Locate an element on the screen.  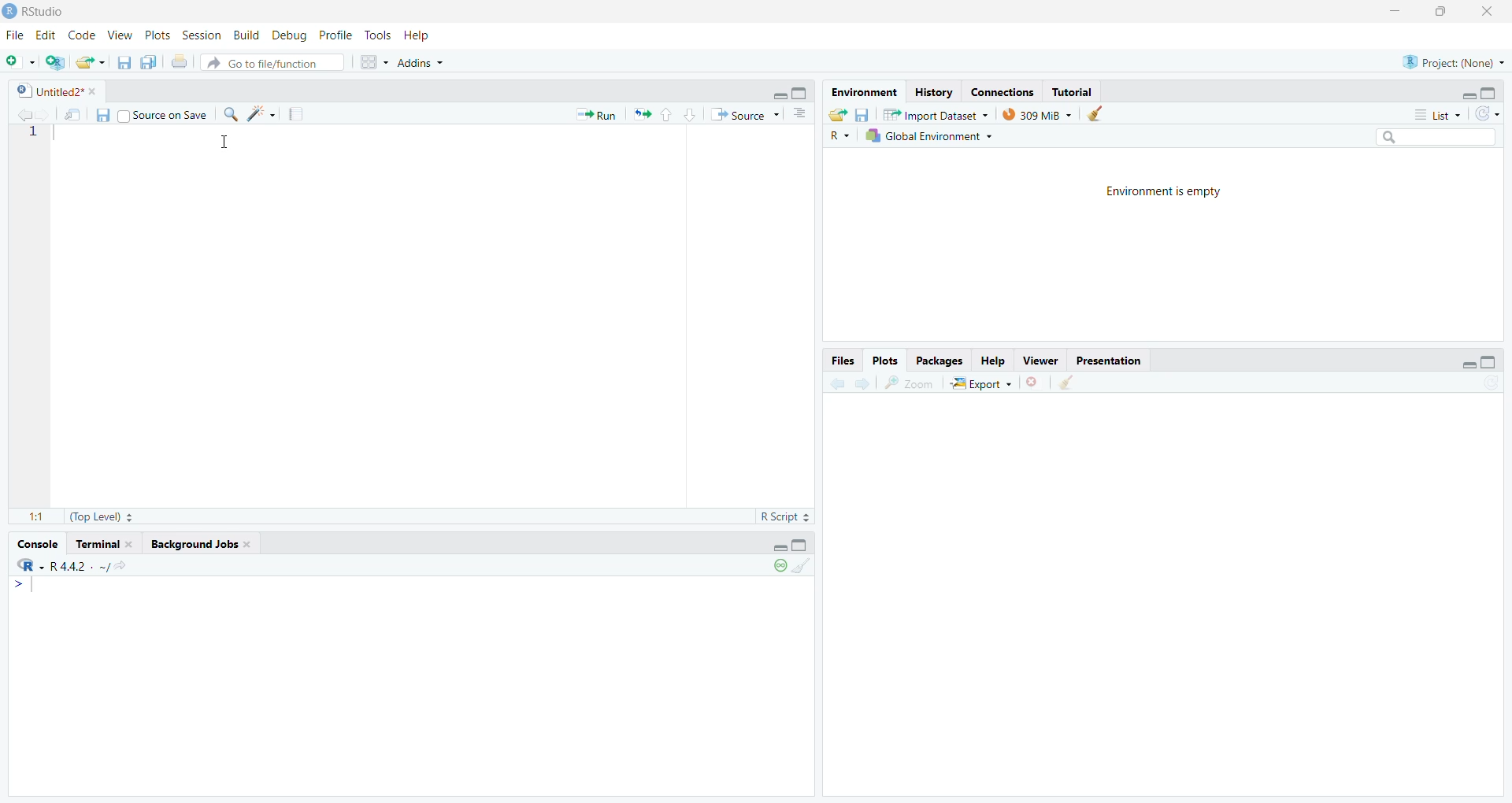
R is located at coordinates (838, 135).